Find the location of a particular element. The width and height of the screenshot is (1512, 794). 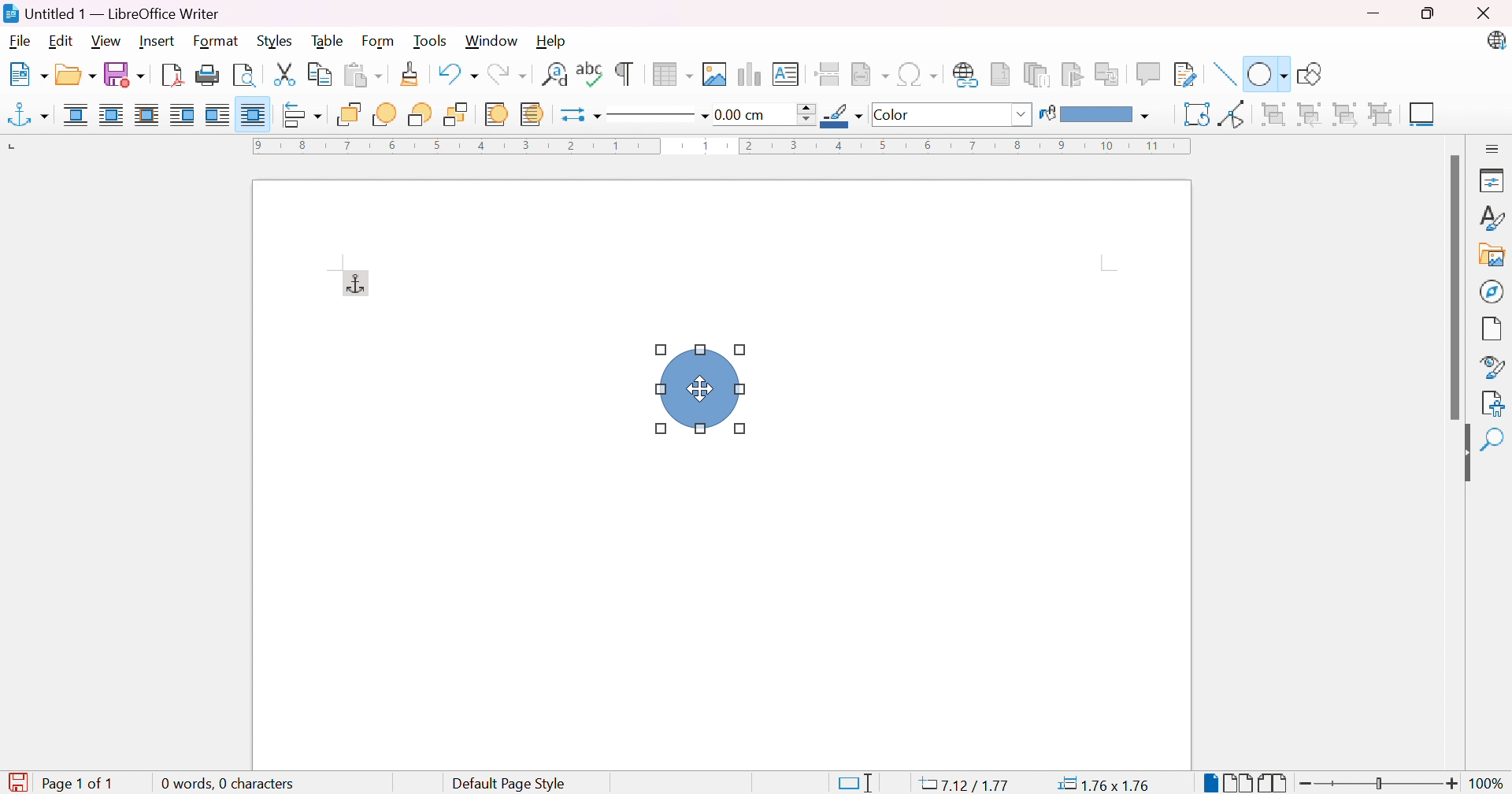

Help is located at coordinates (552, 40).